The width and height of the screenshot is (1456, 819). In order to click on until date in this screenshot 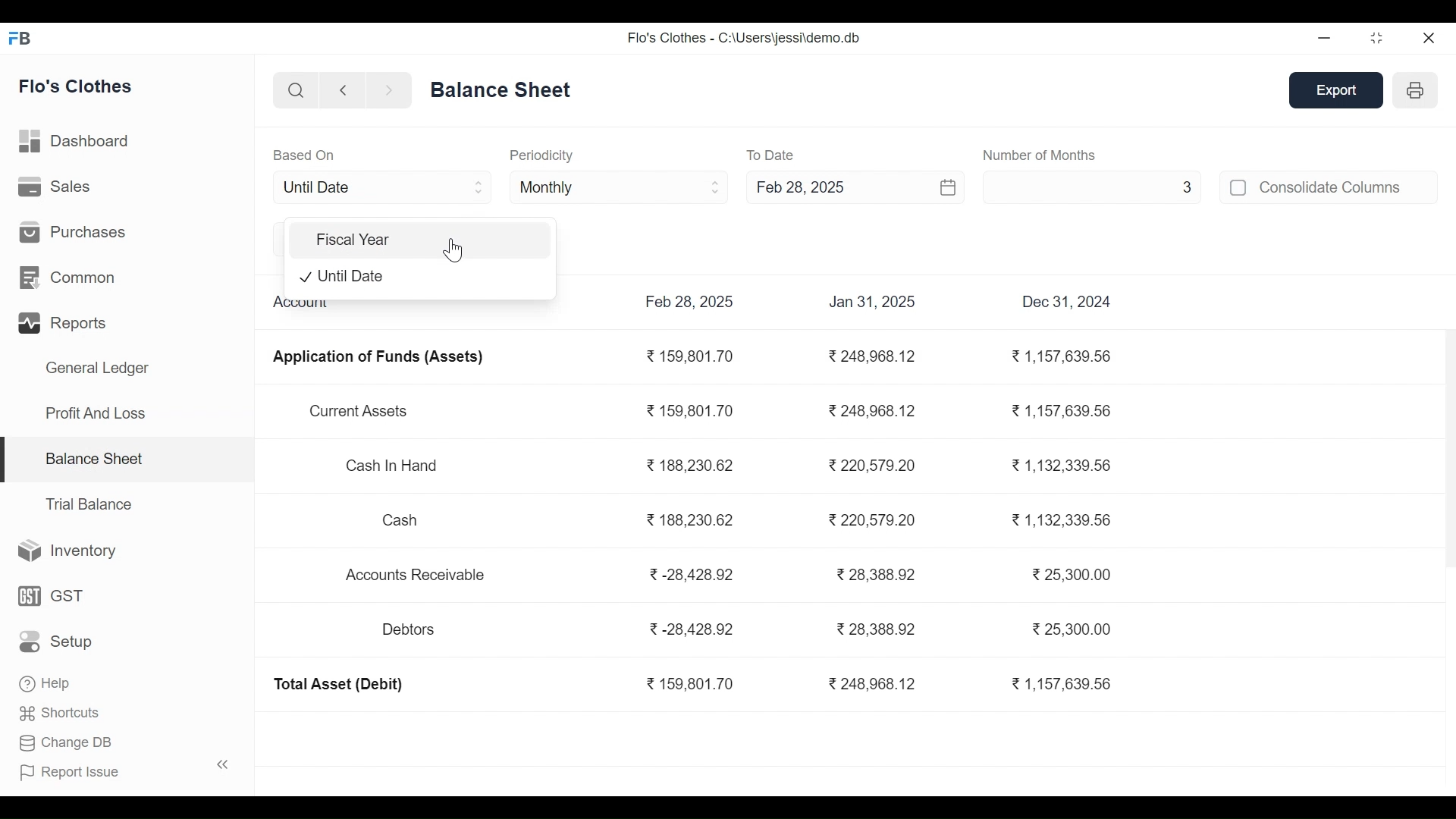, I will do `click(422, 277)`.